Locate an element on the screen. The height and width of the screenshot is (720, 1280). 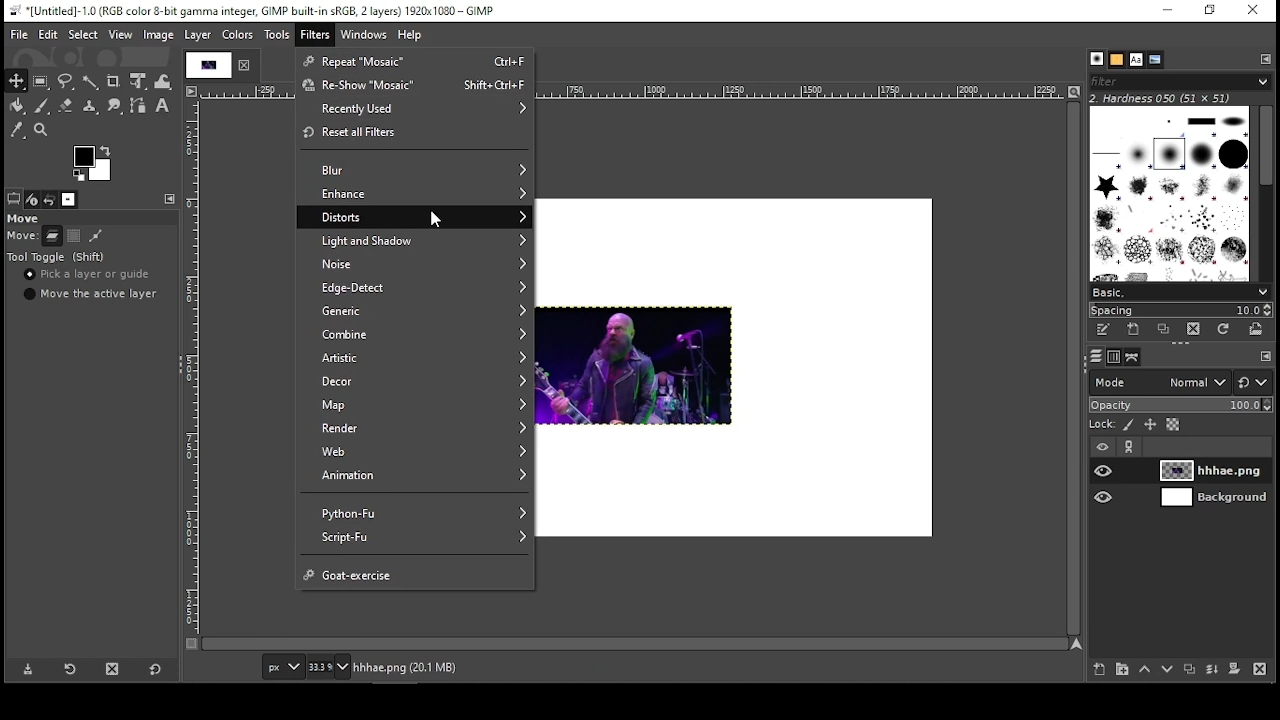
open brush as image is located at coordinates (1254, 330).